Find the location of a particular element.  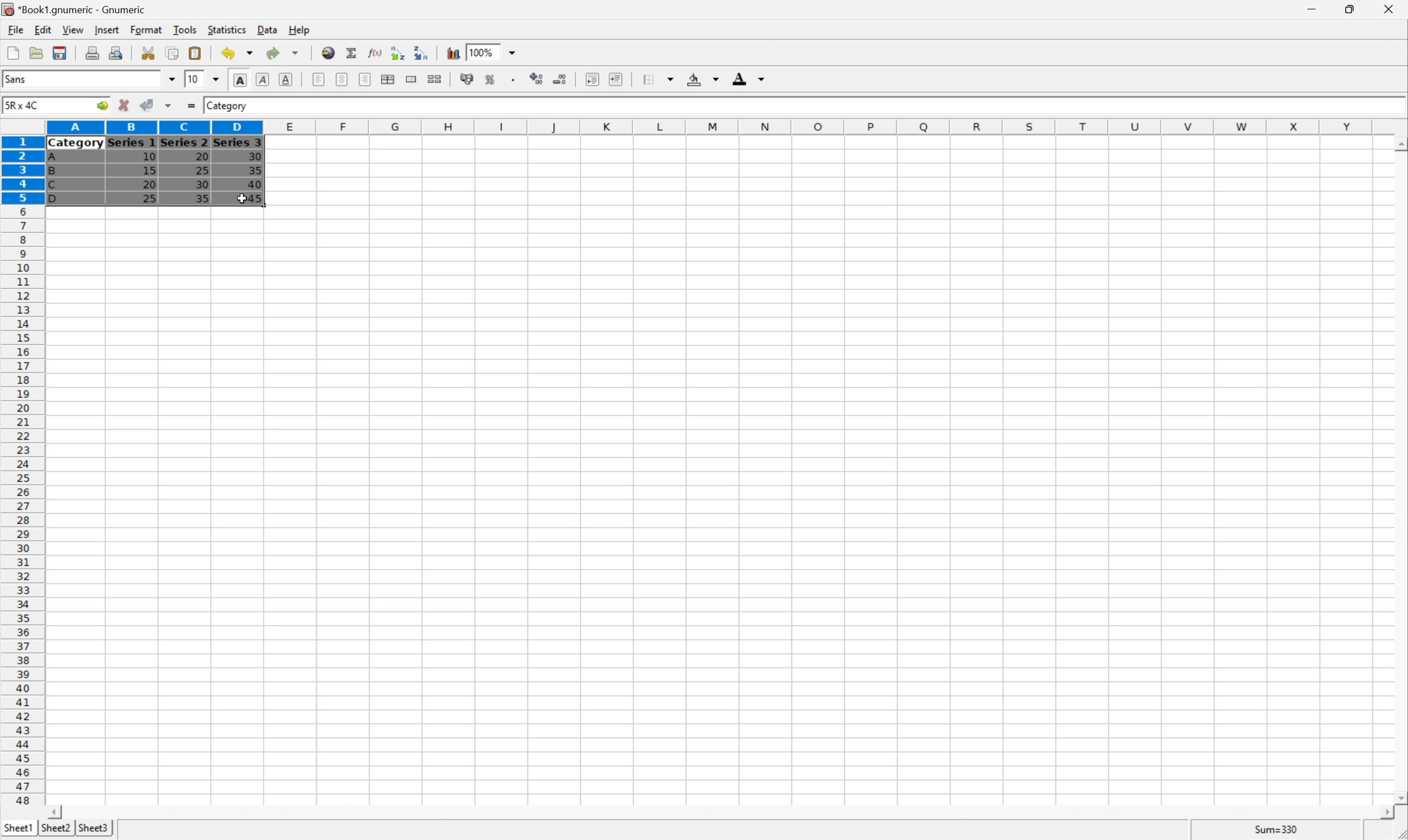

Restore Down is located at coordinates (1344, 9).